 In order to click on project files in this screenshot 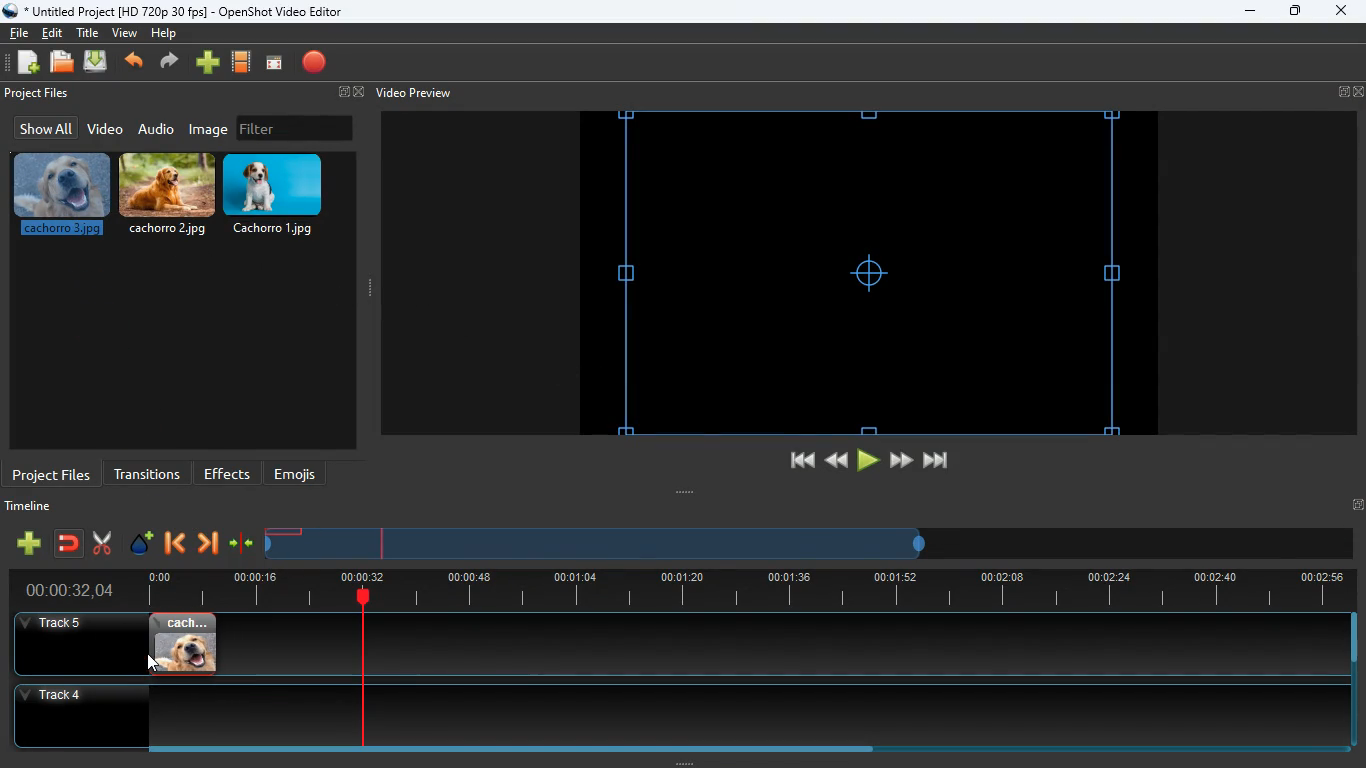, I will do `click(39, 94)`.